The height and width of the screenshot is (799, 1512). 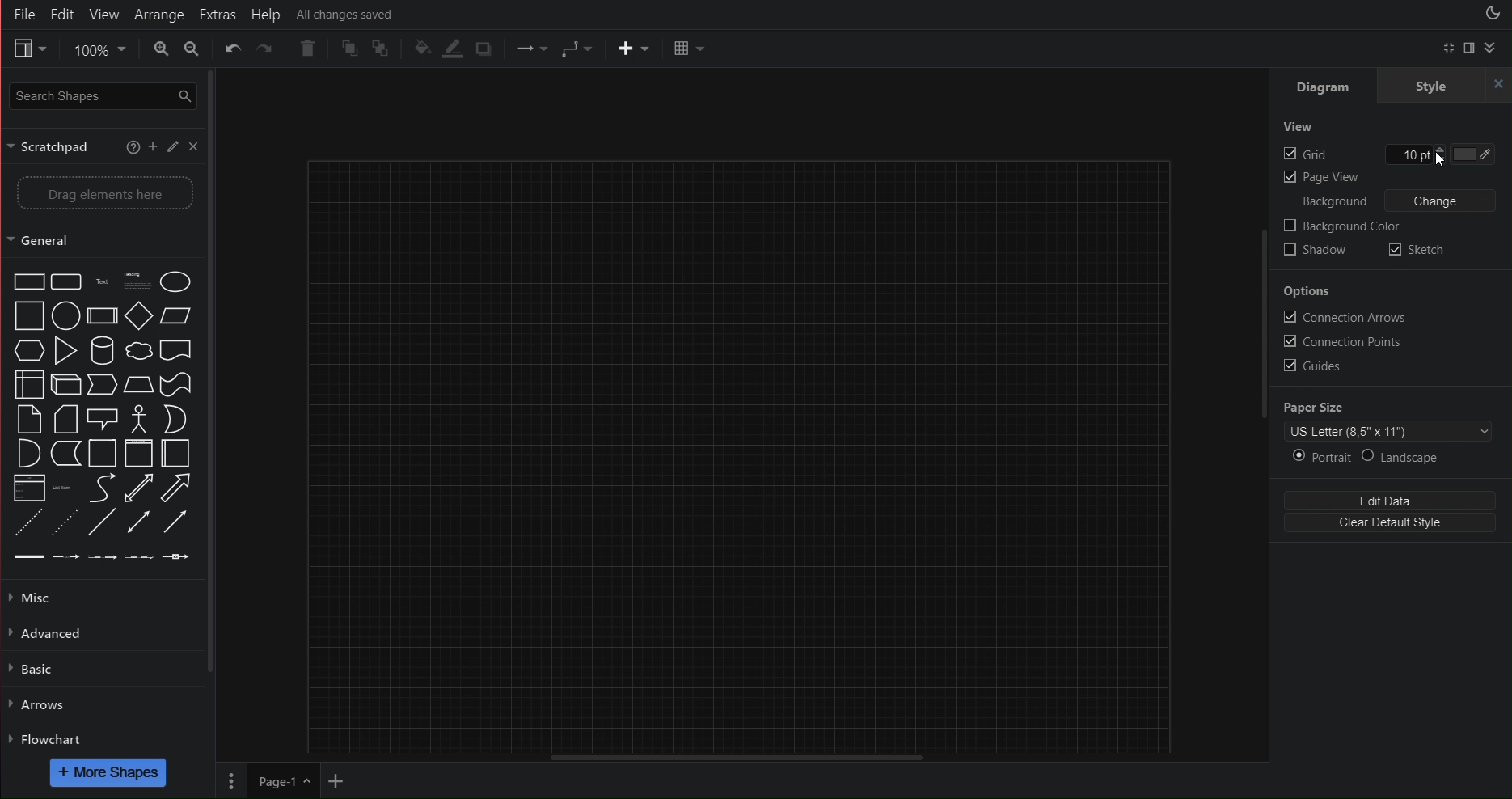 What do you see at coordinates (179, 277) in the screenshot?
I see `circle` at bounding box center [179, 277].